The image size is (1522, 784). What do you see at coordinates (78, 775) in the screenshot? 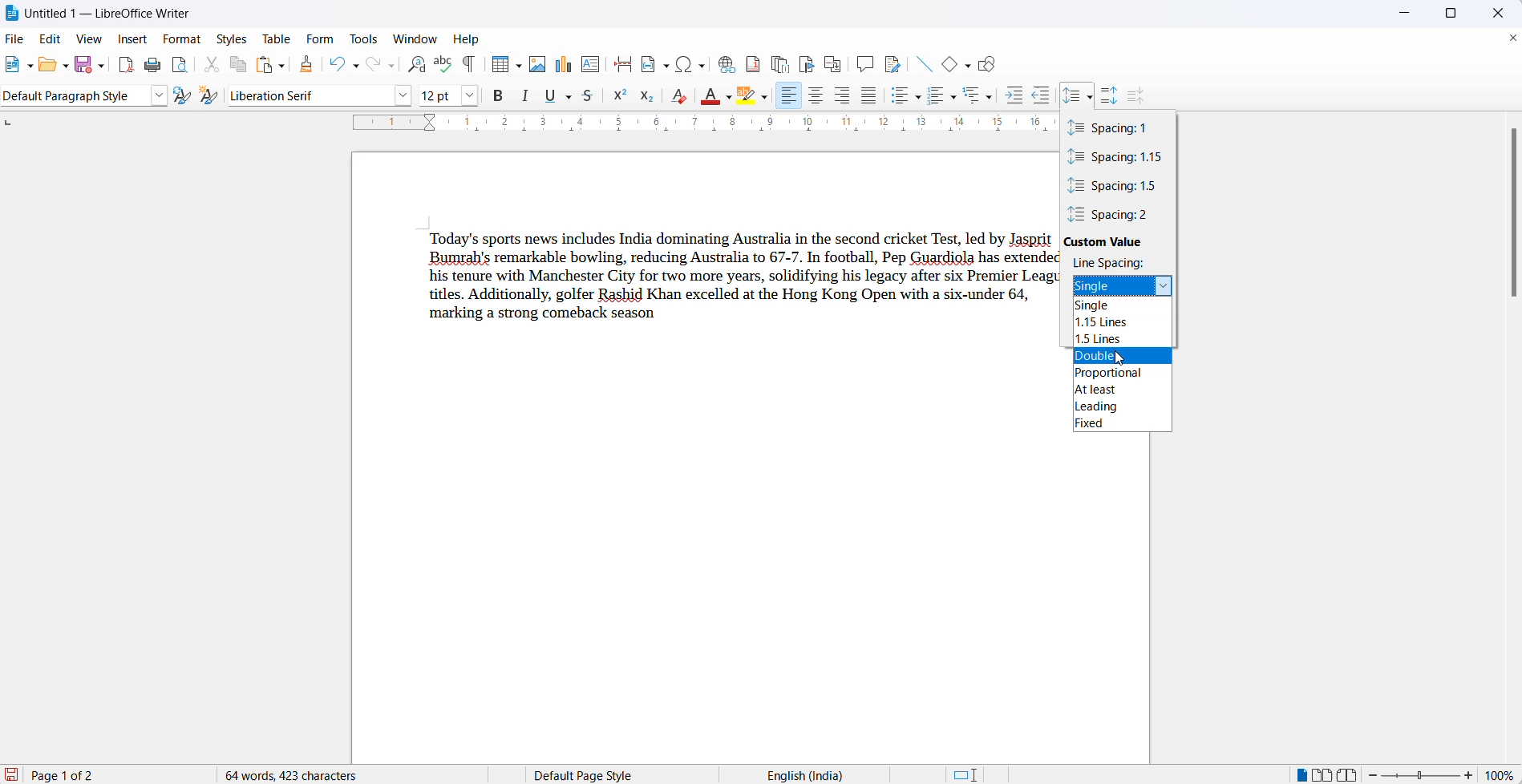
I see `current page` at bounding box center [78, 775].